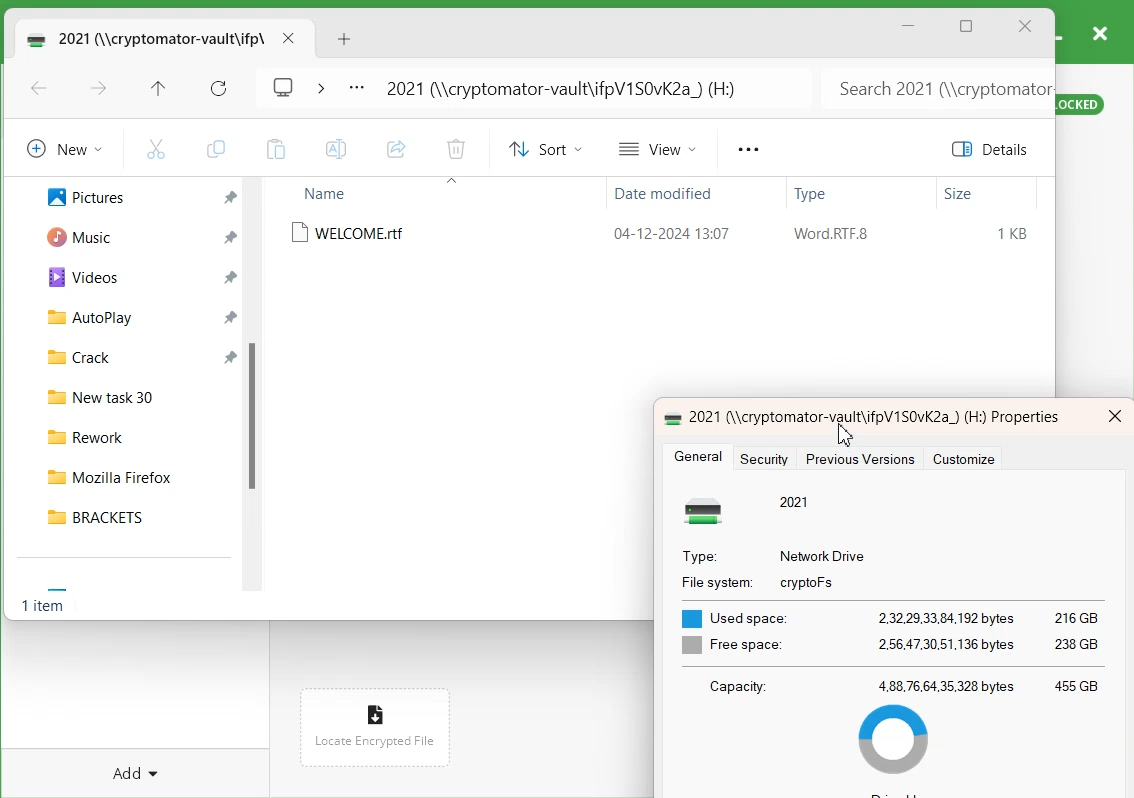 The height and width of the screenshot is (798, 1134). I want to click on Size, so click(959, 194).